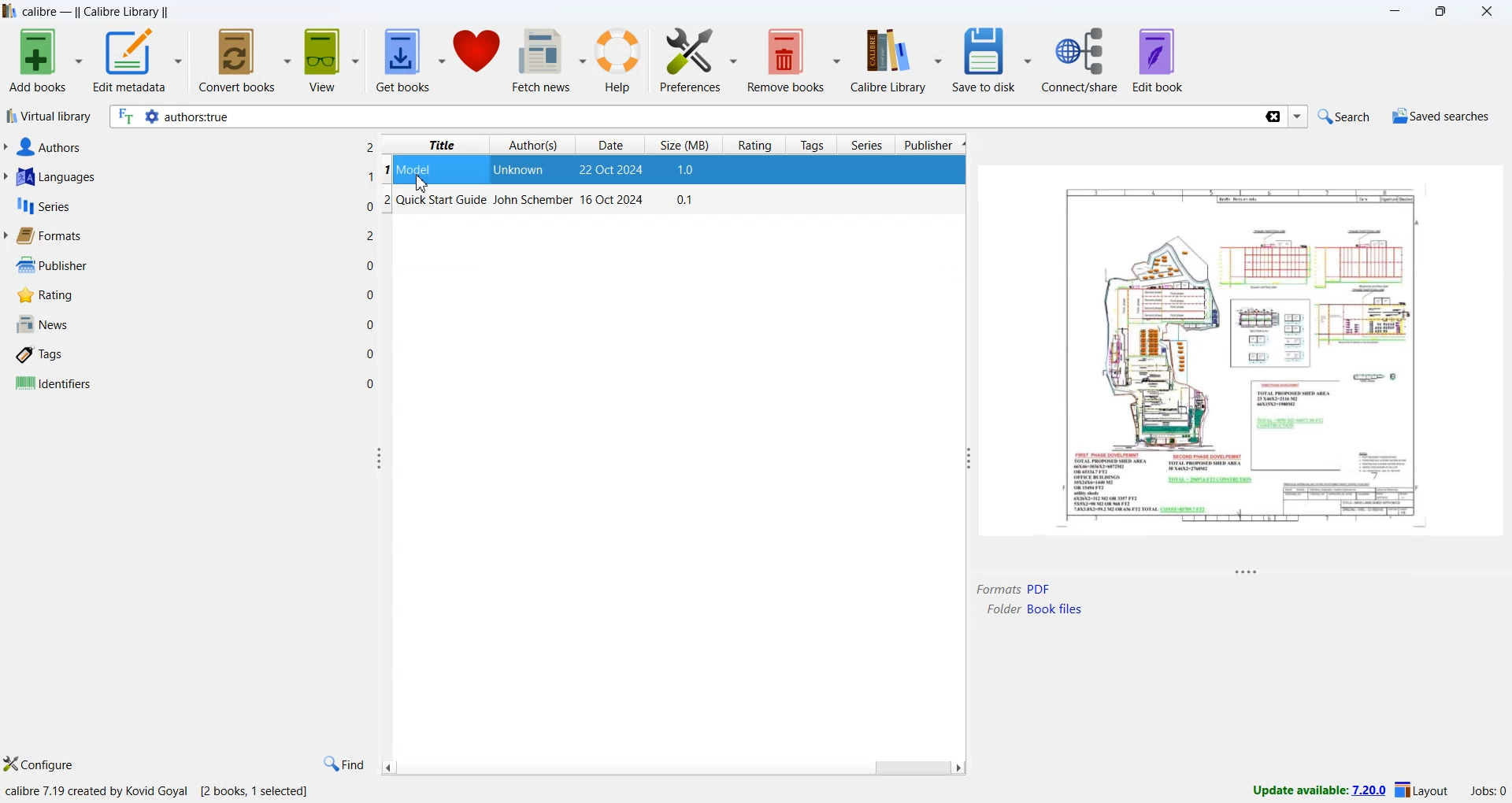 This screenshot has width=1512, height=803. I want to click on , so click(372, 236).